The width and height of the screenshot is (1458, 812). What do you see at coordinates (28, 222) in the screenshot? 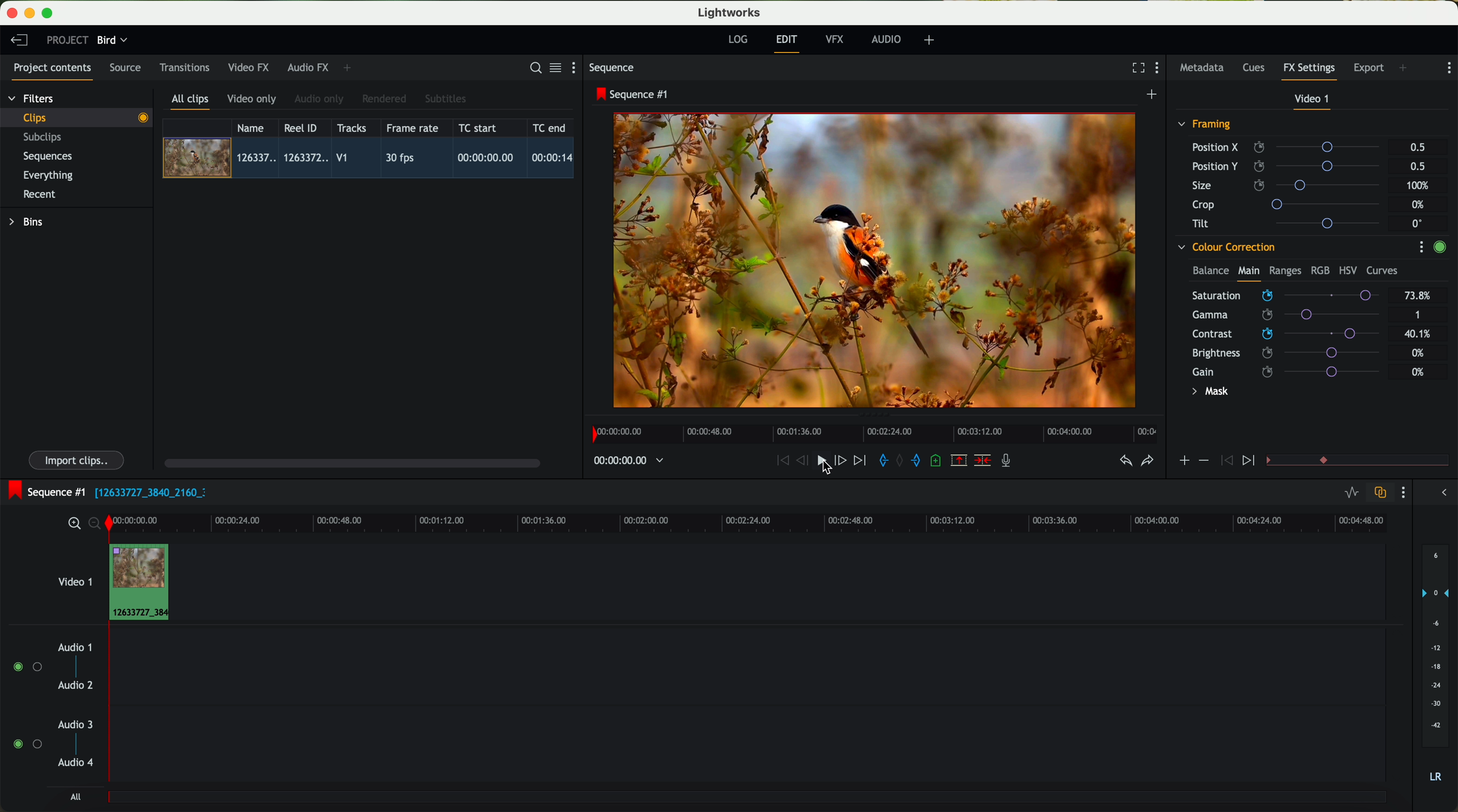
I see `bins` at bounding box center [28, 222].